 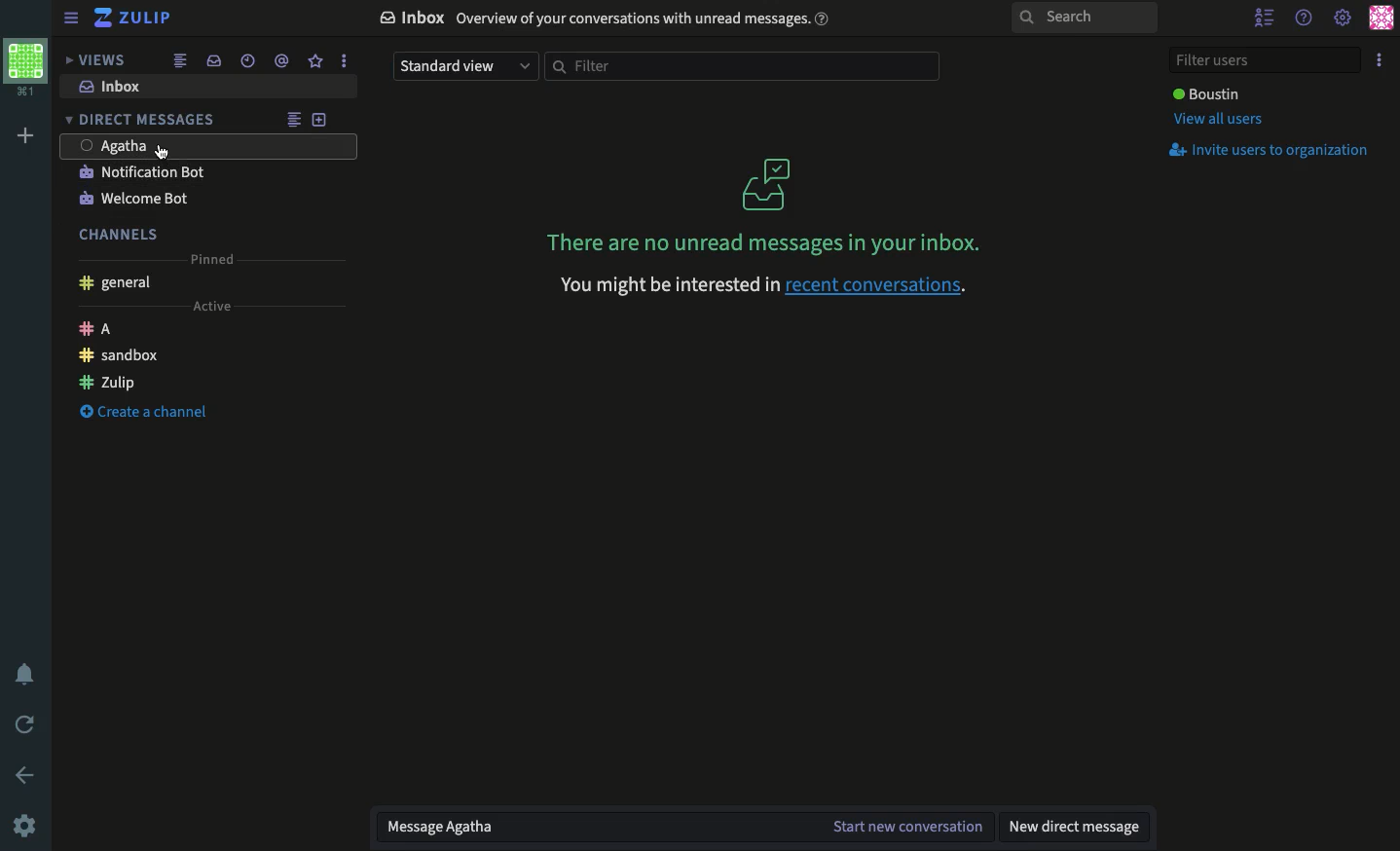 I want to click on Message, so click(x=601, y=828).